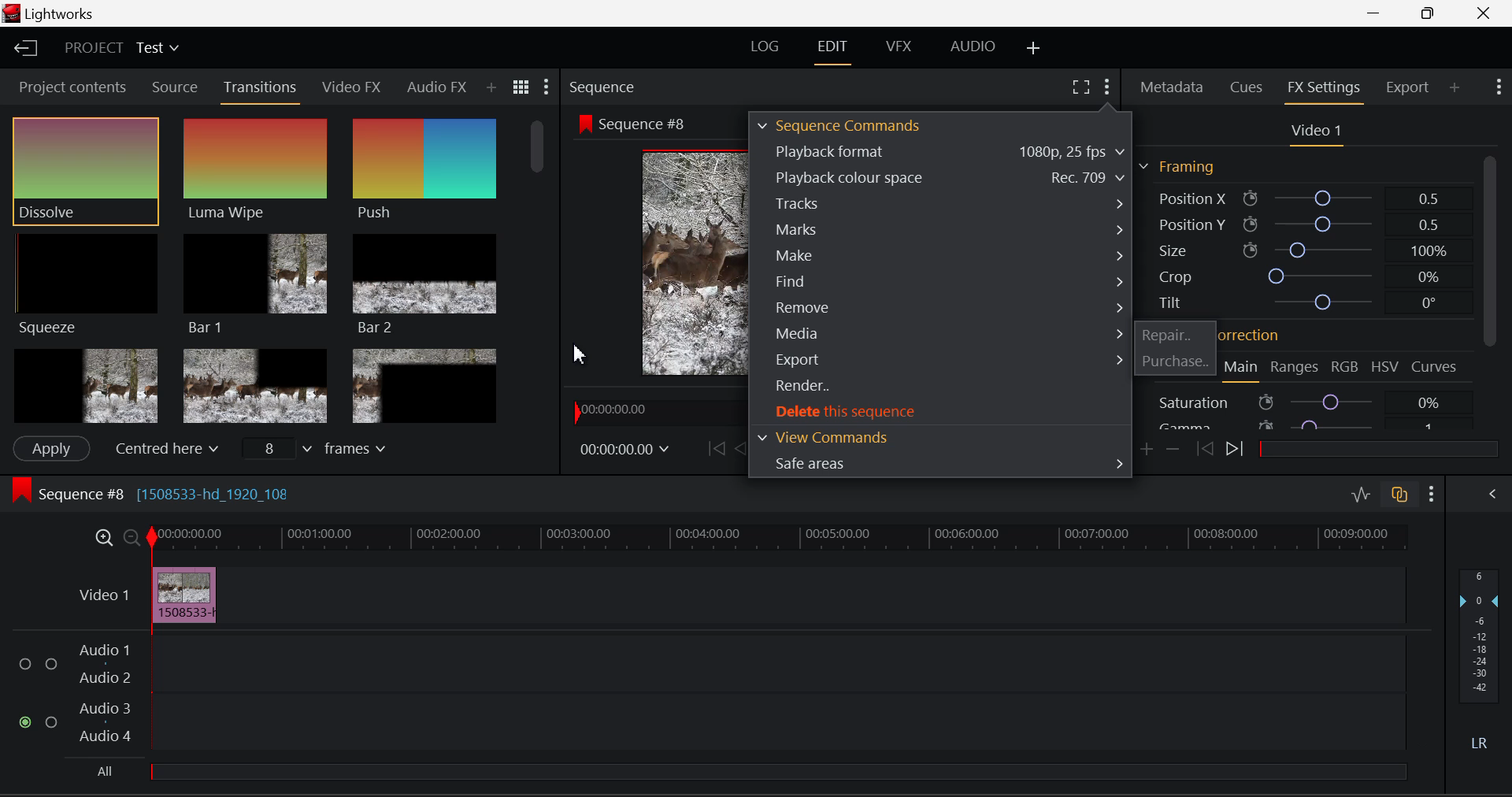 This screenshot has height=797, width=1512. What do you see at coordinates (1247, 85) in the screenshot?
I see `Cues` at bounding box center [1247, 85].